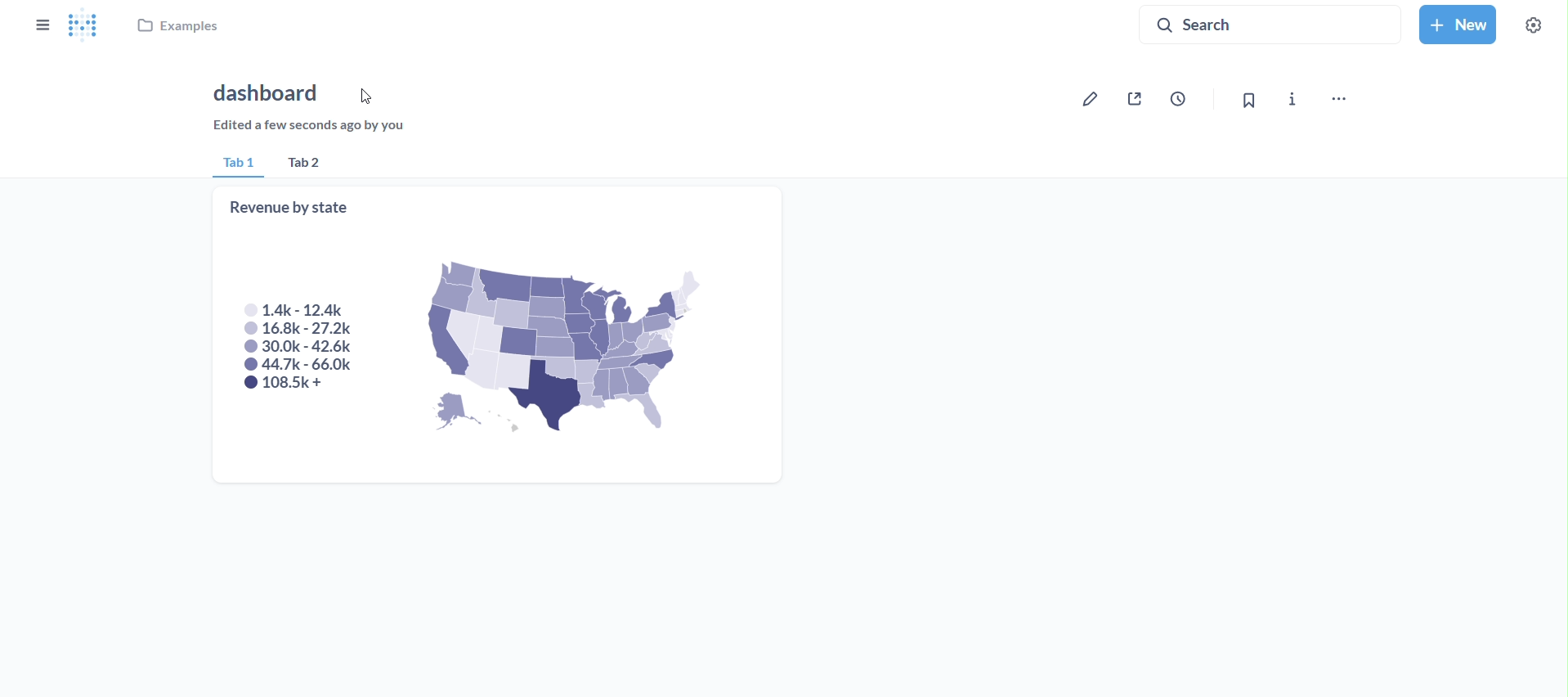 Image resolution: width=1568 pixels, height=697 pixels. Describe the element at coordinates (1185, 97) in the screenshot. I see `auto refresh` at that location.